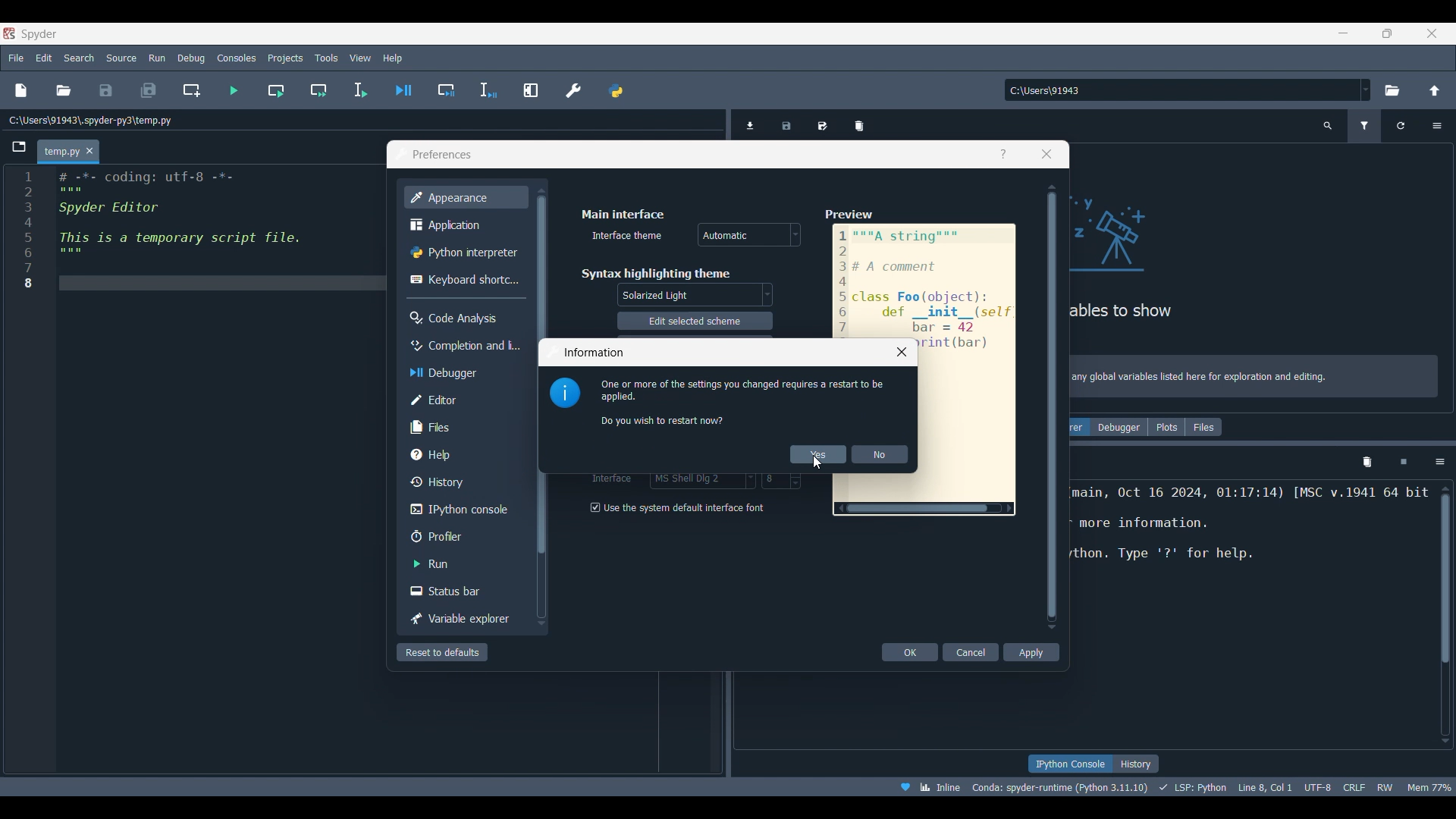 The width and height of the screenshot is (1456, 819). Describe the element at coordinates (1401, 126) in the screenshot. I see `Refresh variables` at that location.